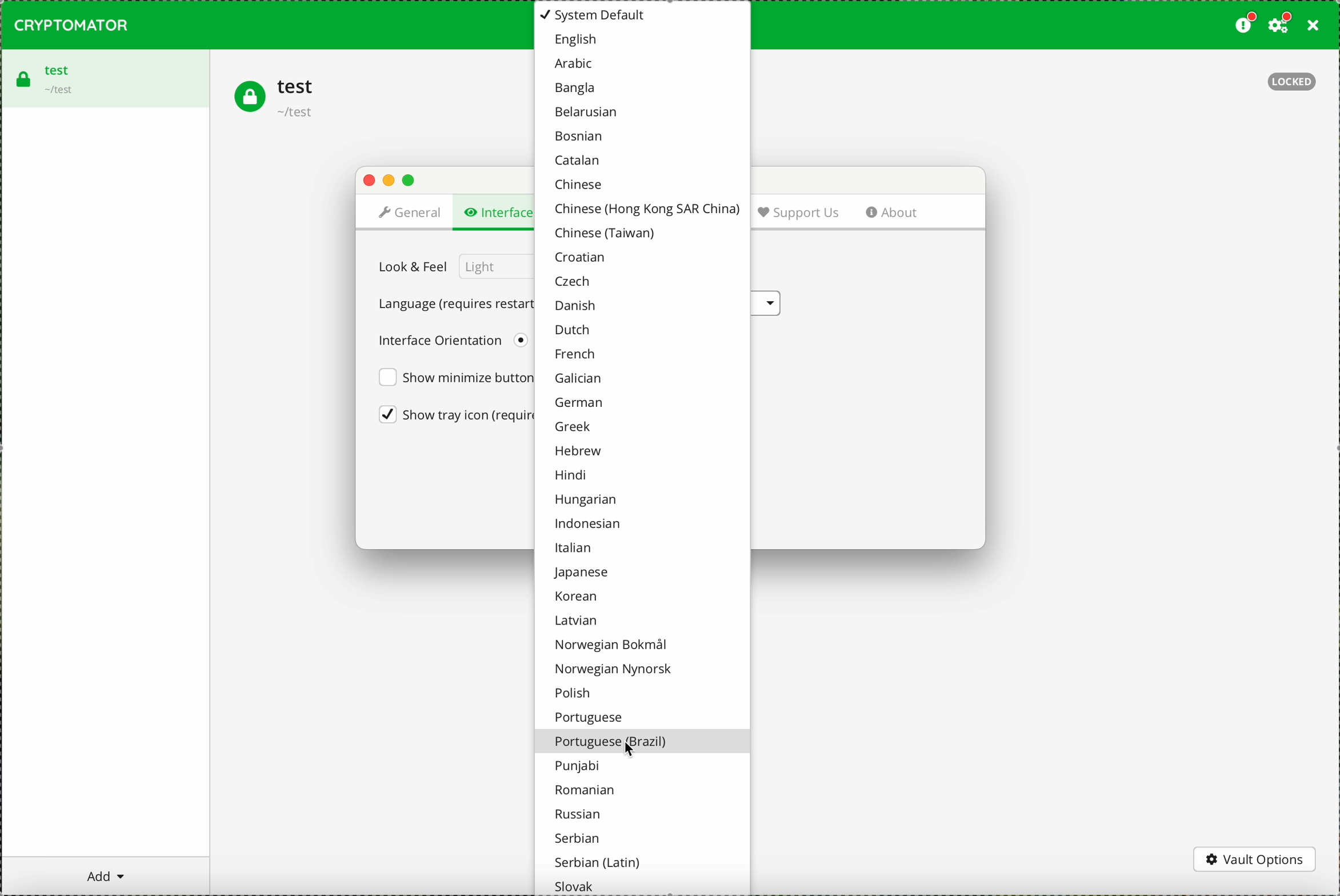  I want to click on click on interface, so click(498, 211).